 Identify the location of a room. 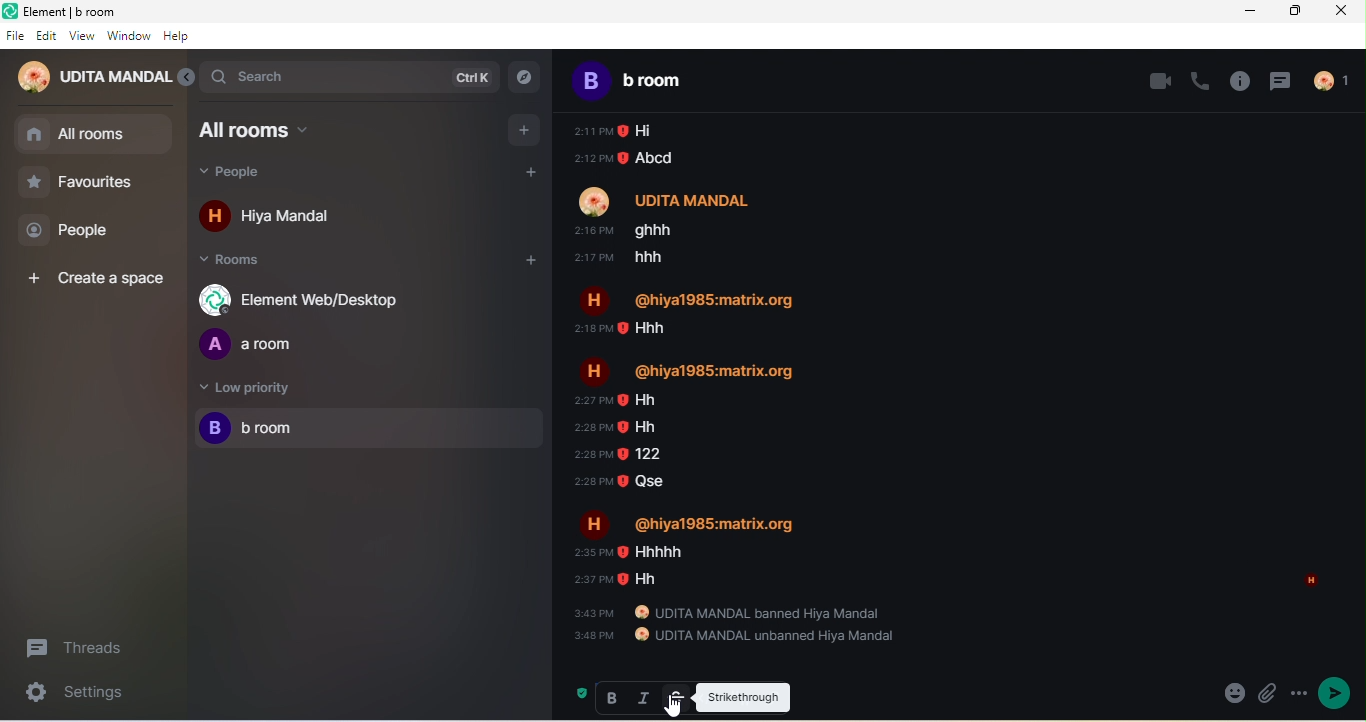
(257, 345).